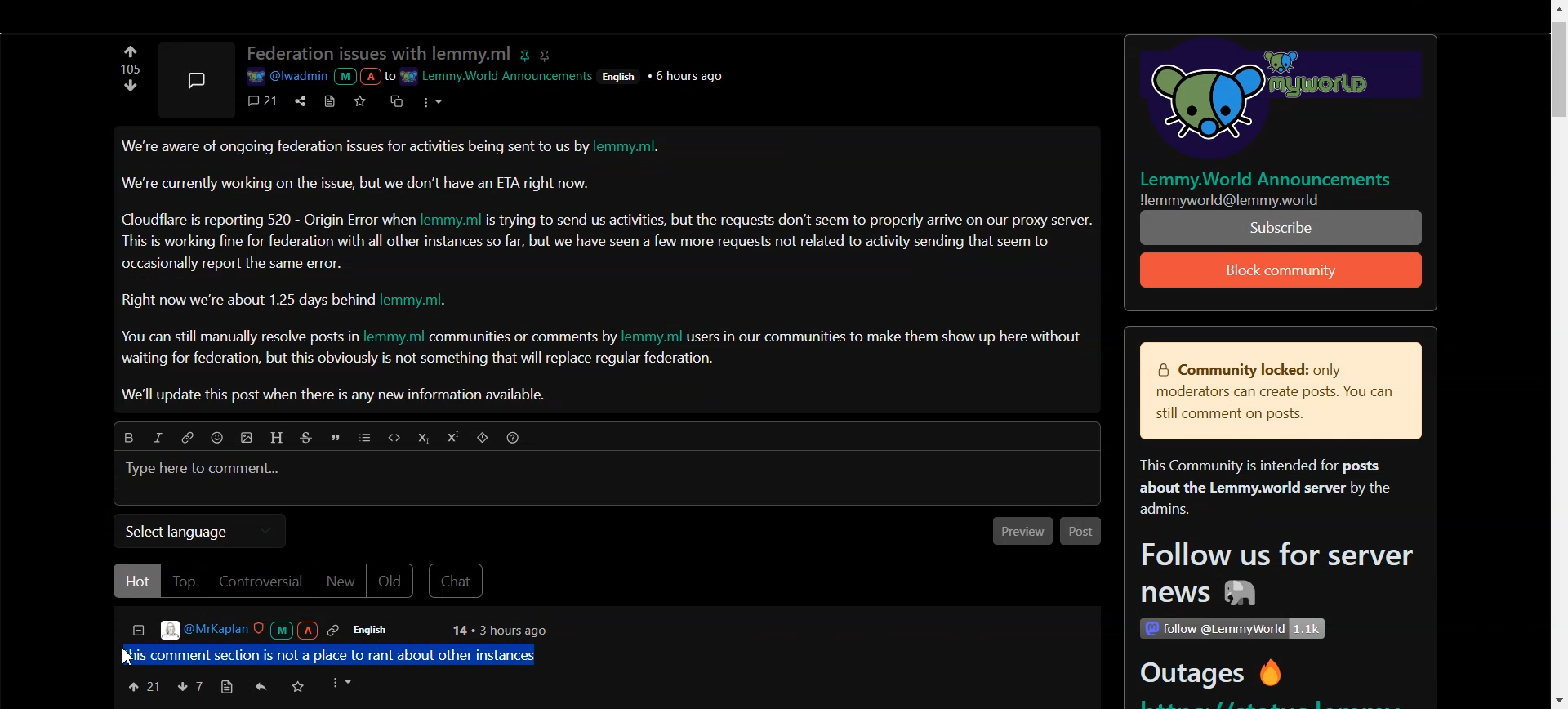  What do you see at coordinates (252, 630) in the screenshot?
I see `@MrKaplan` at bounding box center [252, 630].